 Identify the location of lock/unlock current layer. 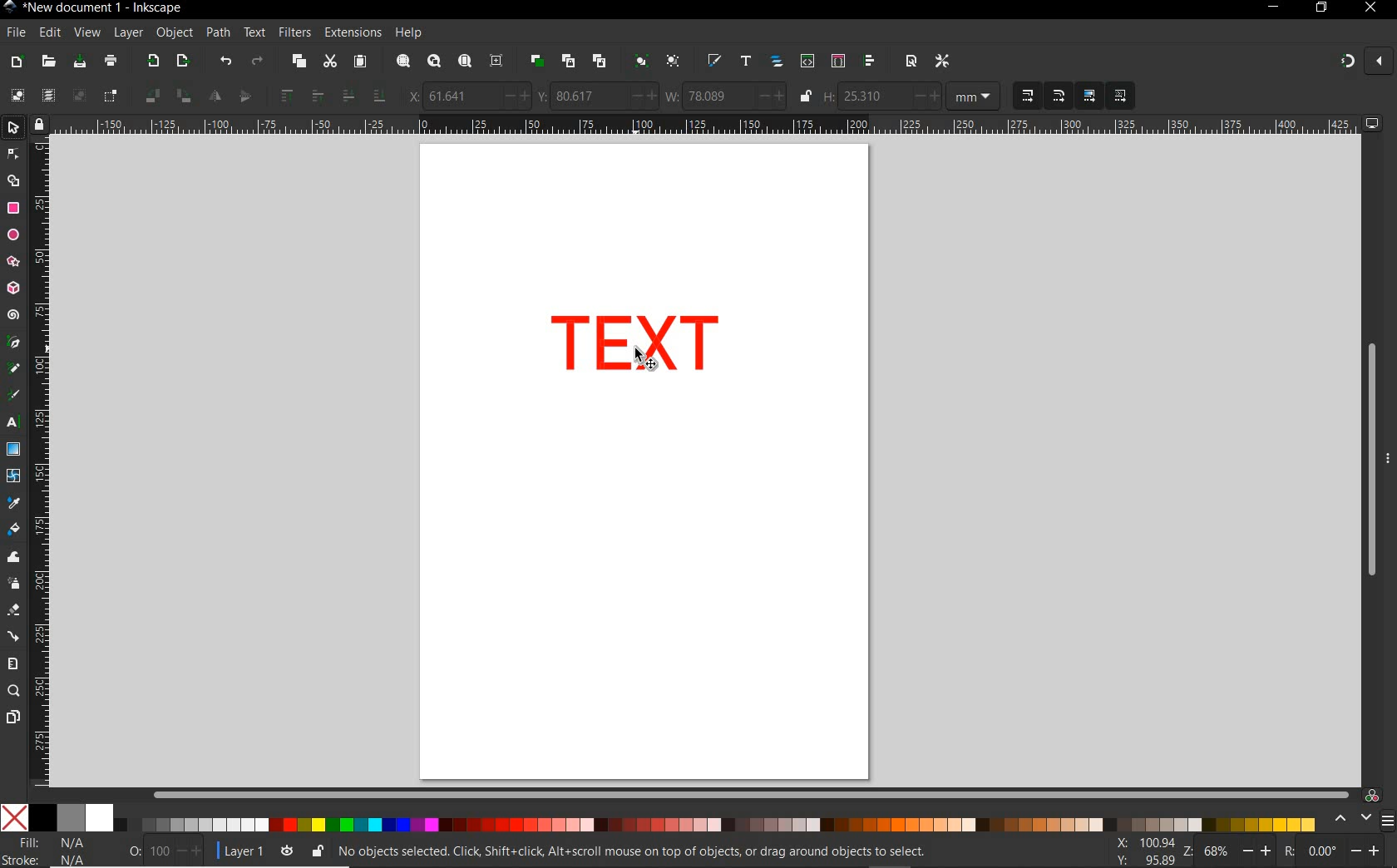
(317, 850).